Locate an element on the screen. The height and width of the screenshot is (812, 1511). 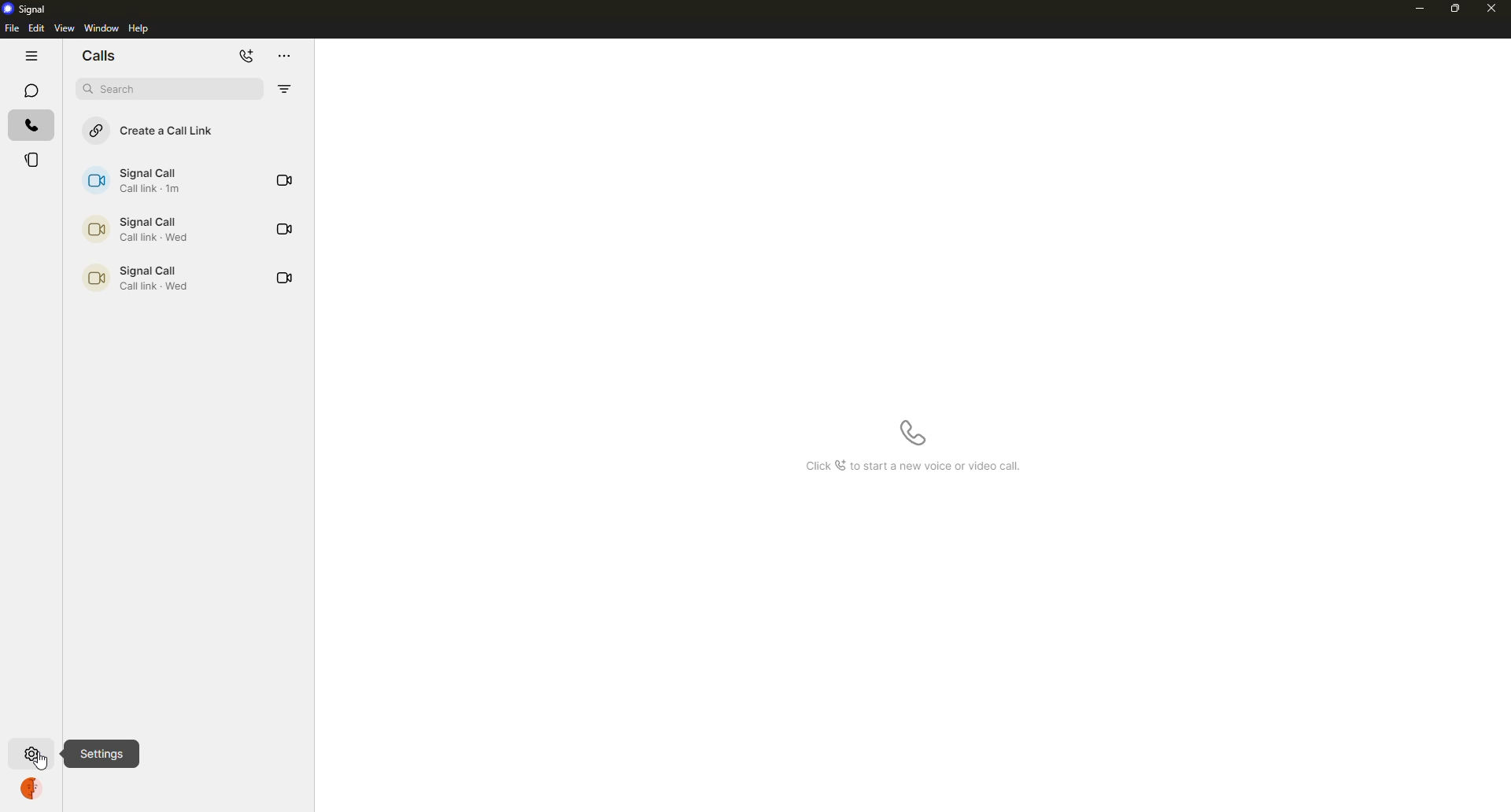
search is located at coordinates (116, 89).